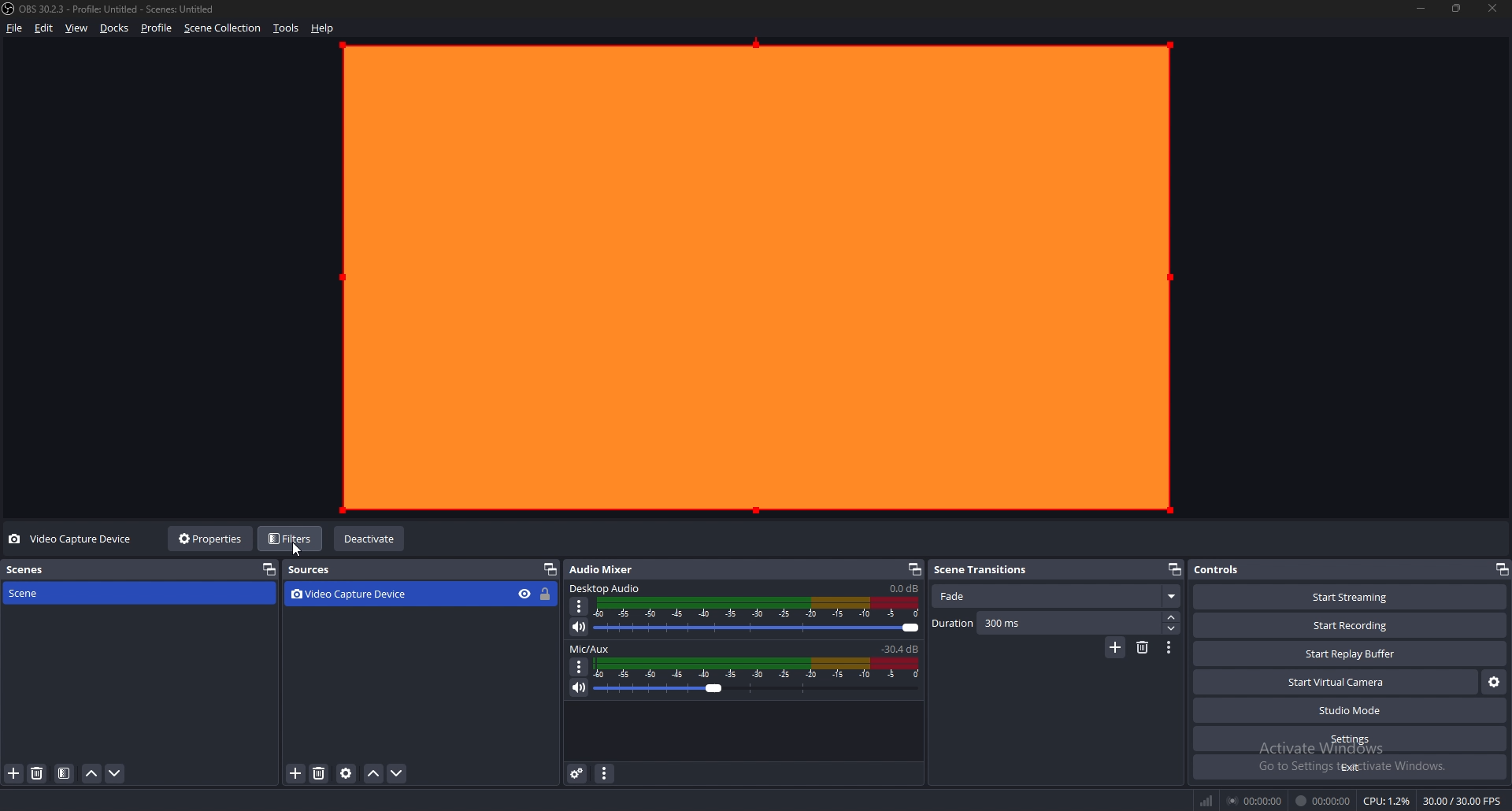  Describe the element at coordinates (296, 551) in the screenshot. I see `cursor` at that location.